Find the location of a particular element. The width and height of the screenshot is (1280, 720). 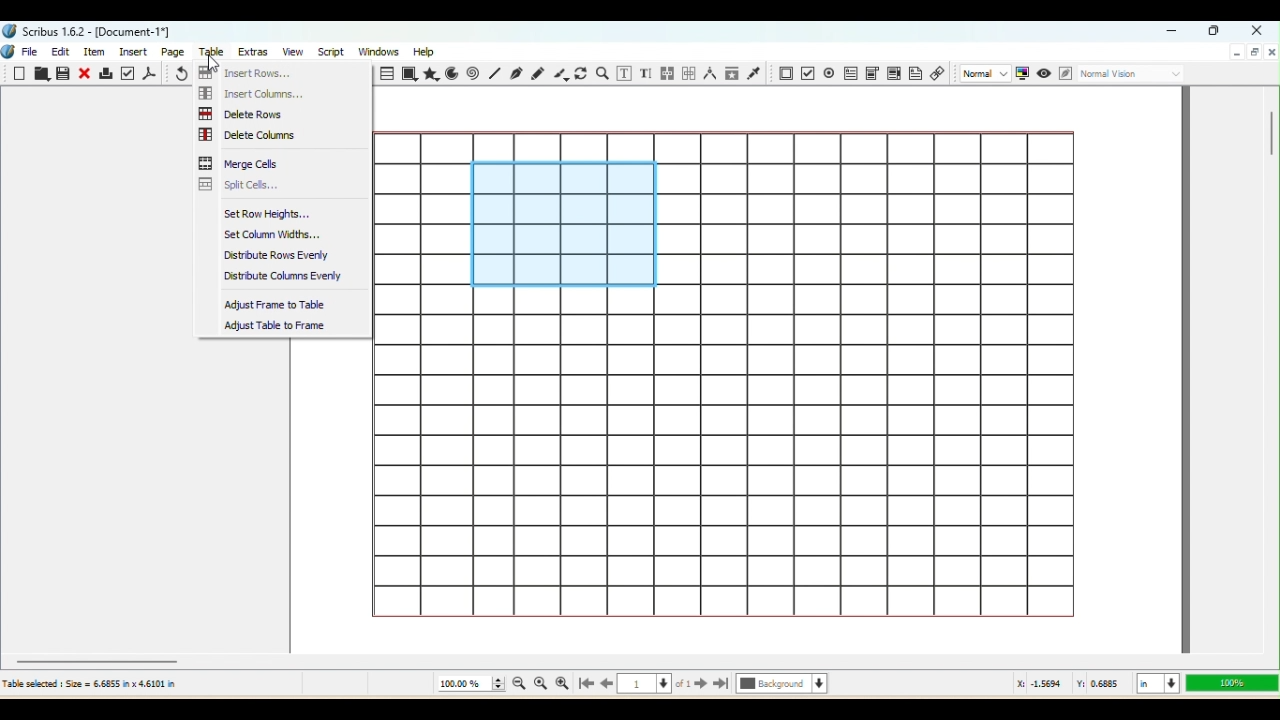

Zoom in is located at coordinates (562, 684).